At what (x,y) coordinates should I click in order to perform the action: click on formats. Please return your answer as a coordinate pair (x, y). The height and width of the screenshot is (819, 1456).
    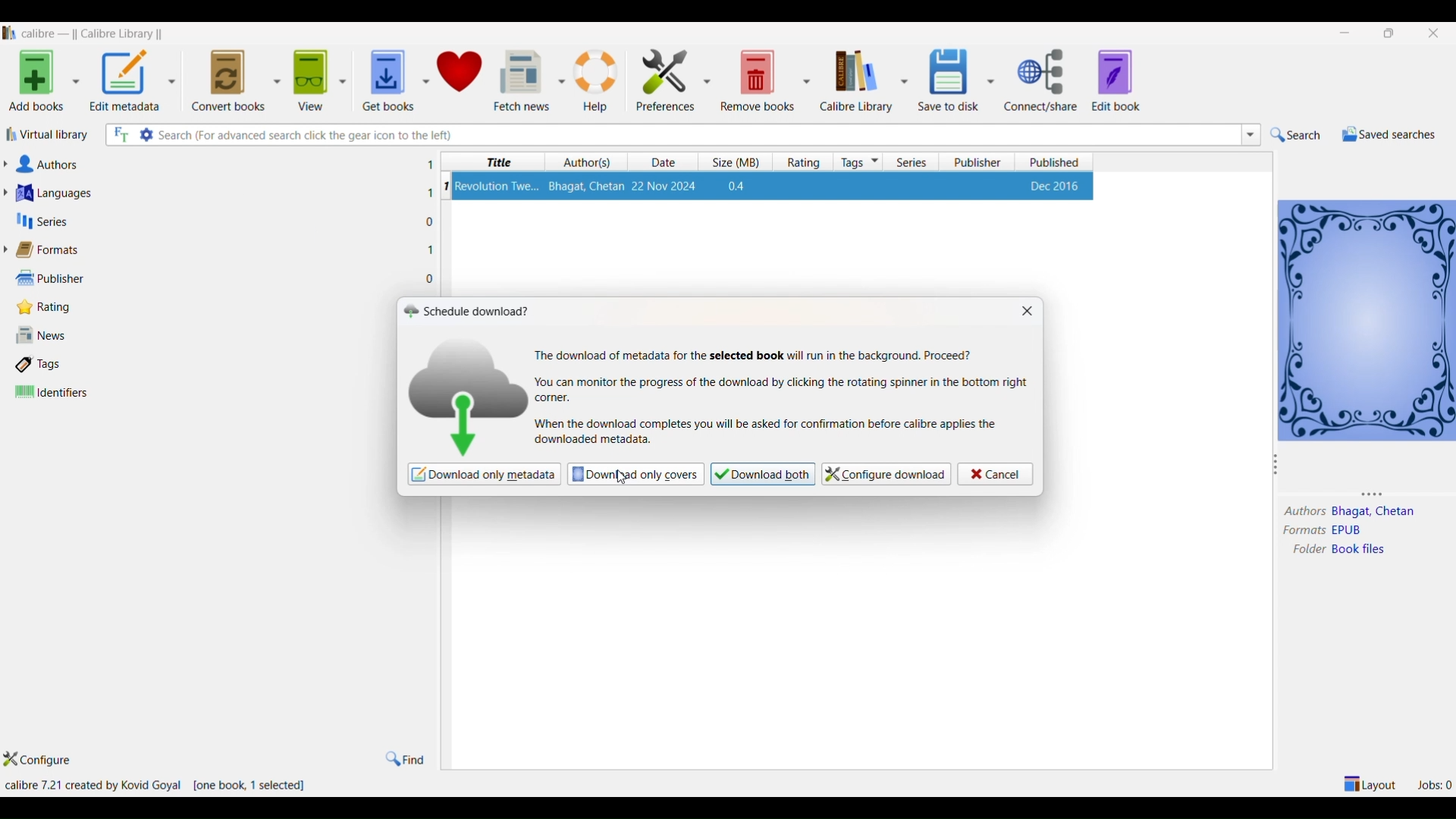
    Looking at the image, I should click on (1300, 531).